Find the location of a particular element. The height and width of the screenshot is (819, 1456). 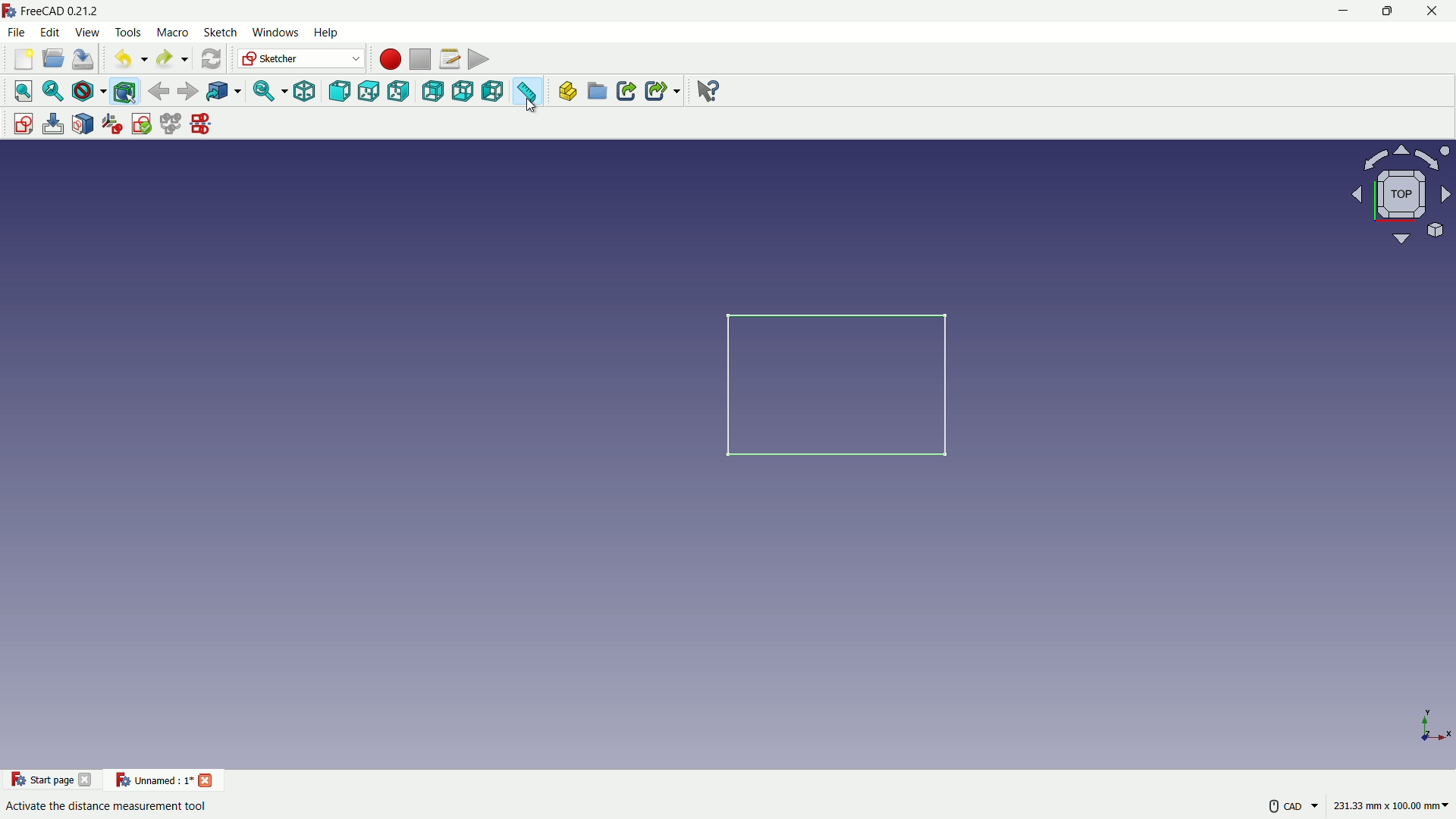

redo is located at coordinates (170, 59).